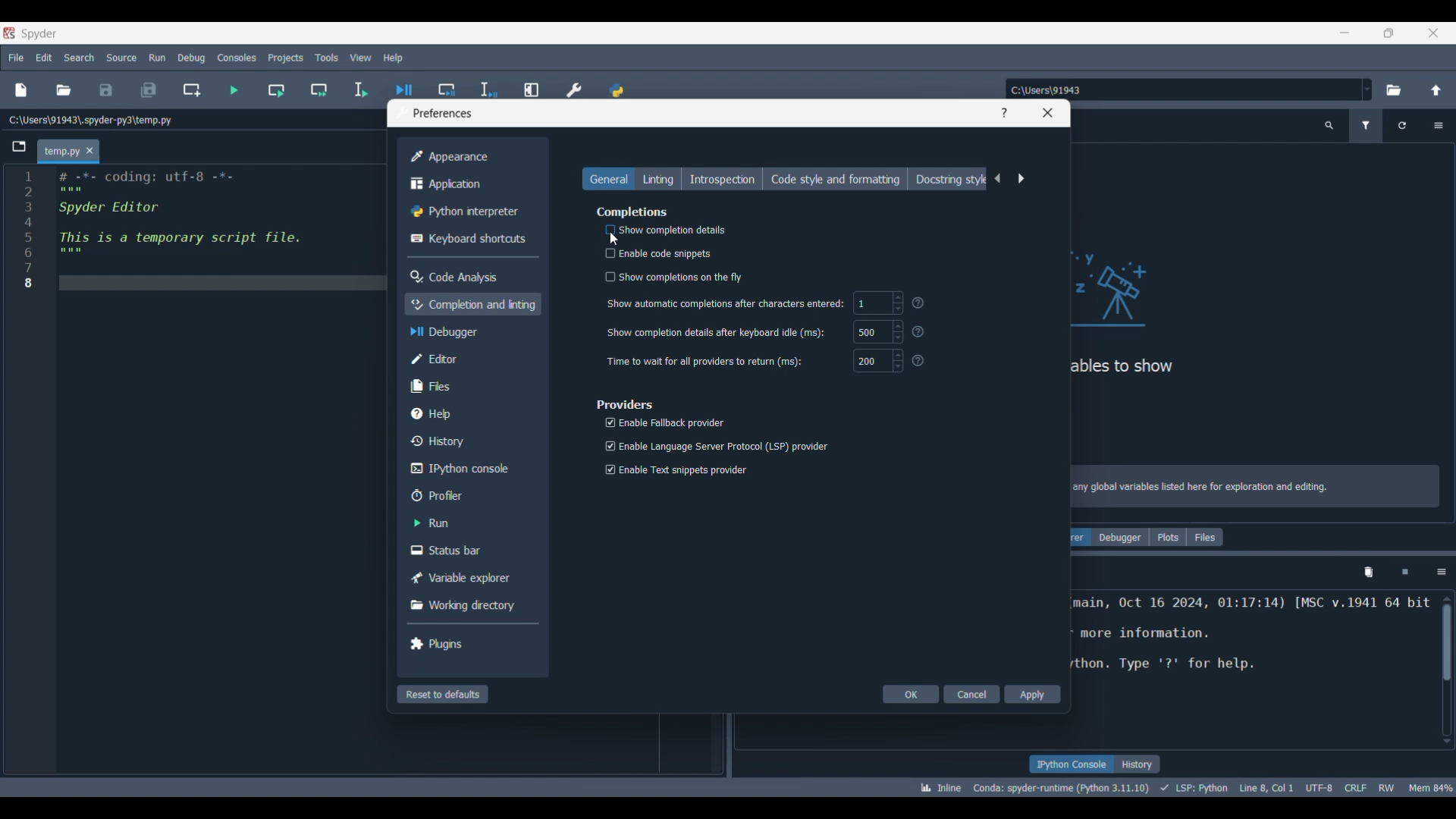 The image size is (1456, 819). What do you see at coordinates (470, 413) in the screenshot?
I see `Help` at bounding box center [470, 413].